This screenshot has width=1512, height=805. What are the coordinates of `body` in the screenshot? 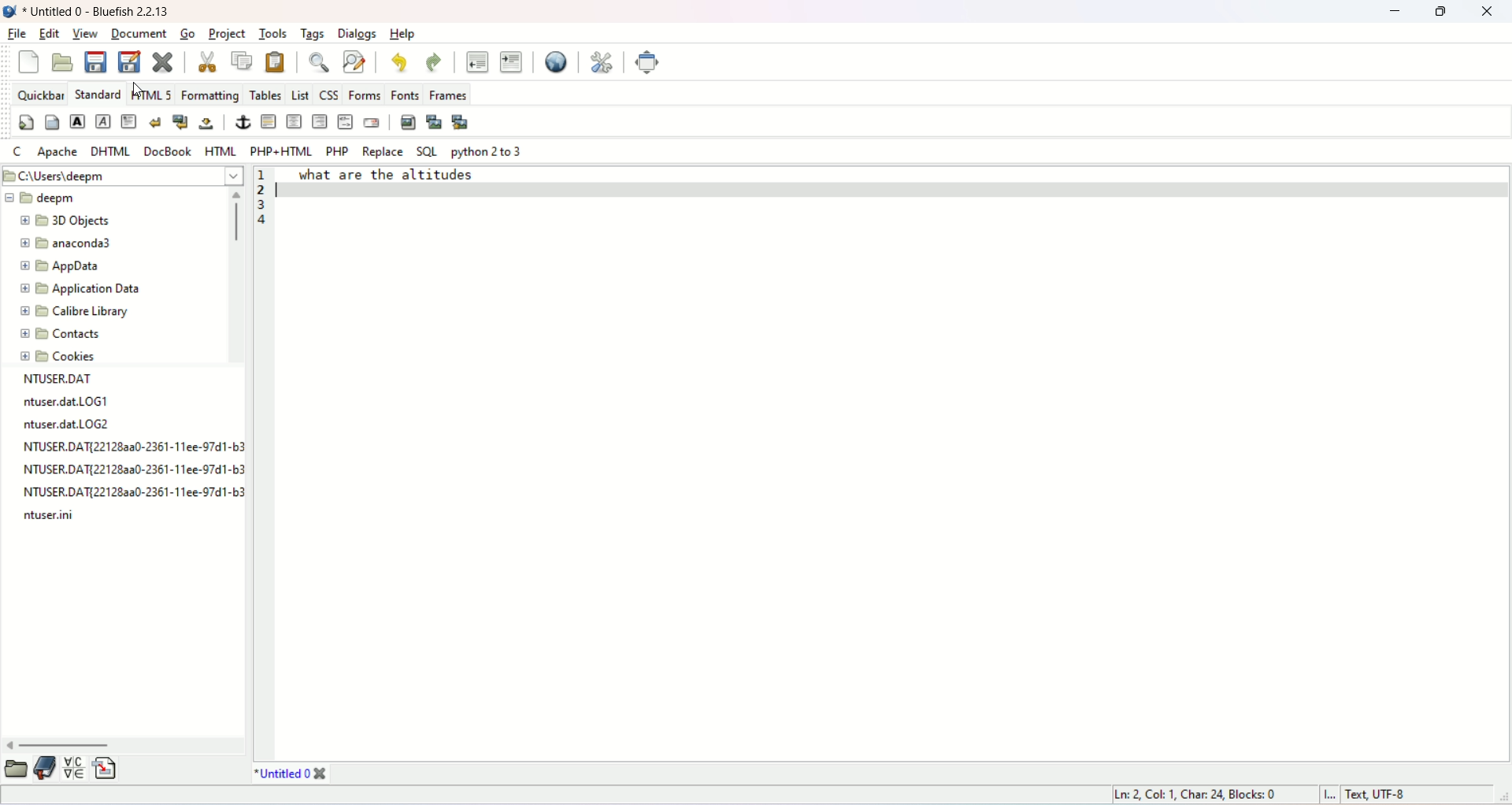 It's located at (50, 124).